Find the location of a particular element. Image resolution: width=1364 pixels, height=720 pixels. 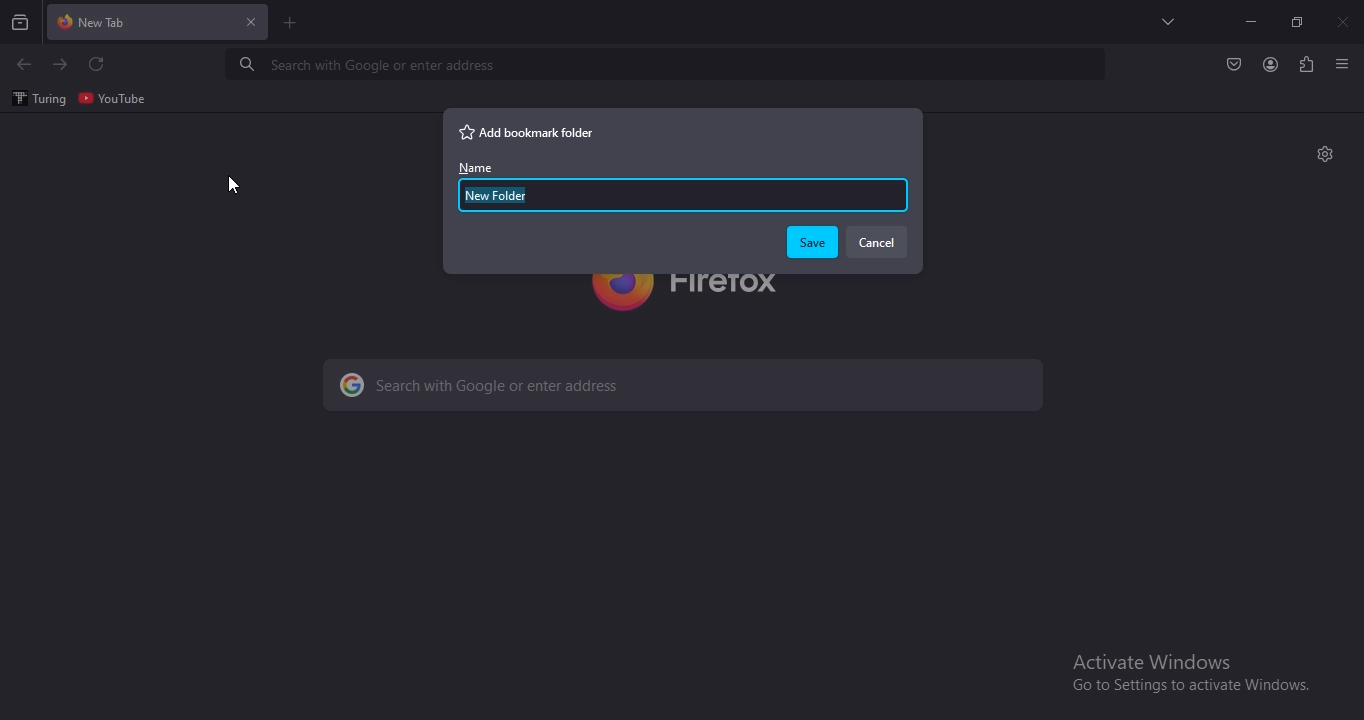

youtube is located at coordinates (113, 97).